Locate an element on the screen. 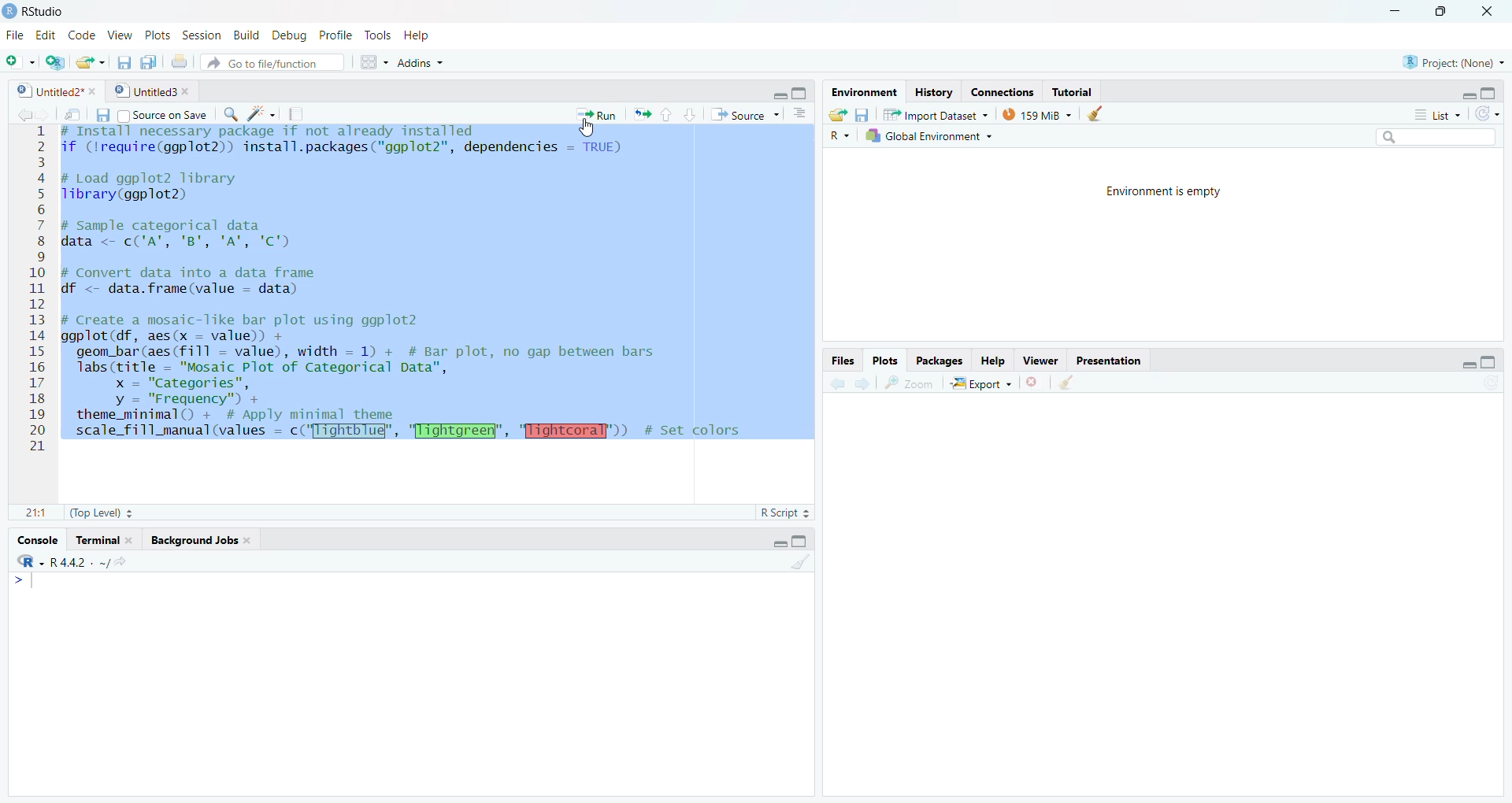 The height and width of the screenshot is (803, 1512). Typing indicator is located at coordinates (26, 584).